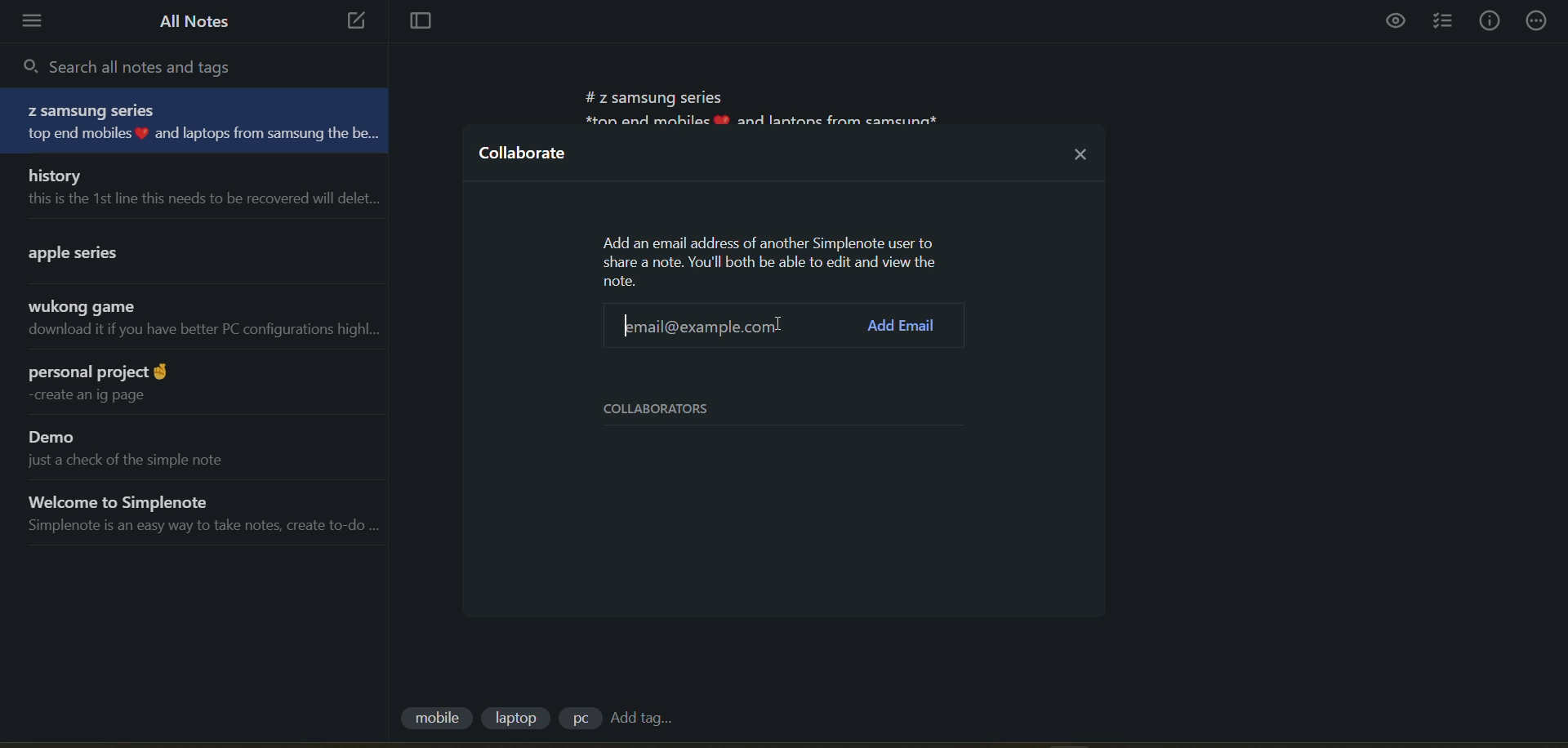 The height and width of the screenshot is (748, 1568). What do you see at coordinates (906, 327) in the screenshot?
I see `add email` at bounding box center [906, 327].